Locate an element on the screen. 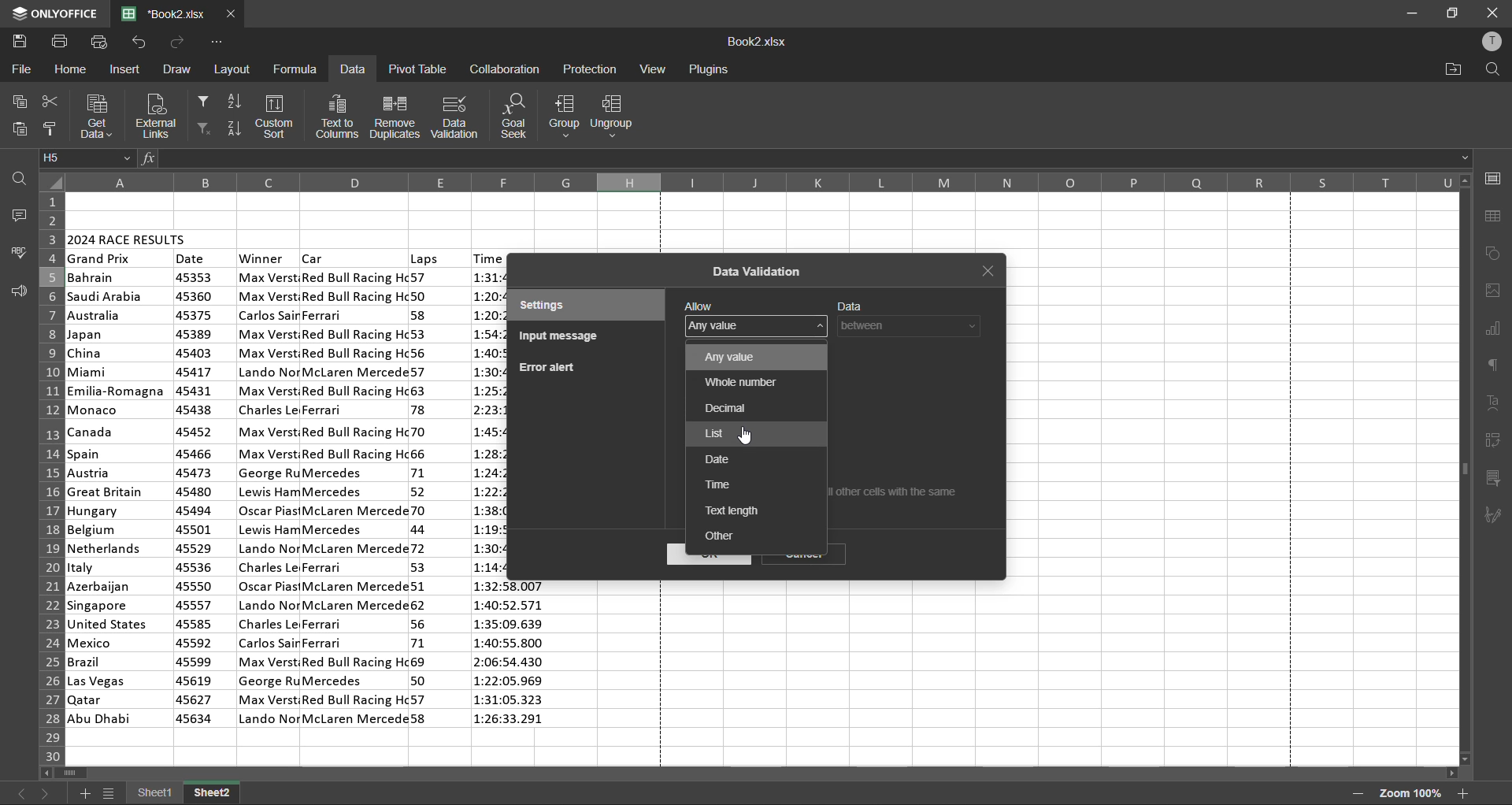  protection is located at coordinates (591, 70).